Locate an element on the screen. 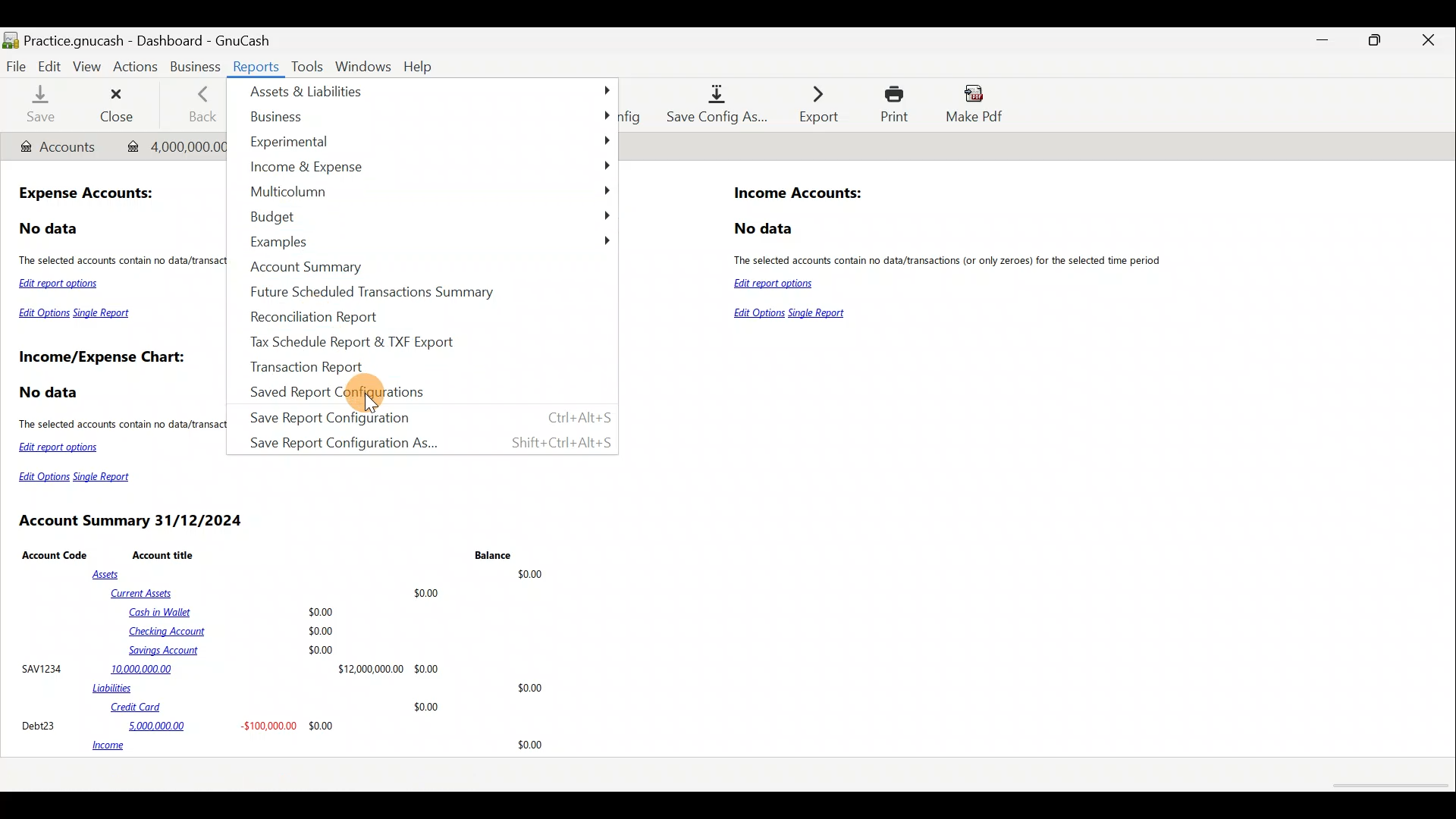 Image resolution: width=1456 pixels, height=819 pixels. Account Summary 31/12/2024 is located at coordinates (133, 521).